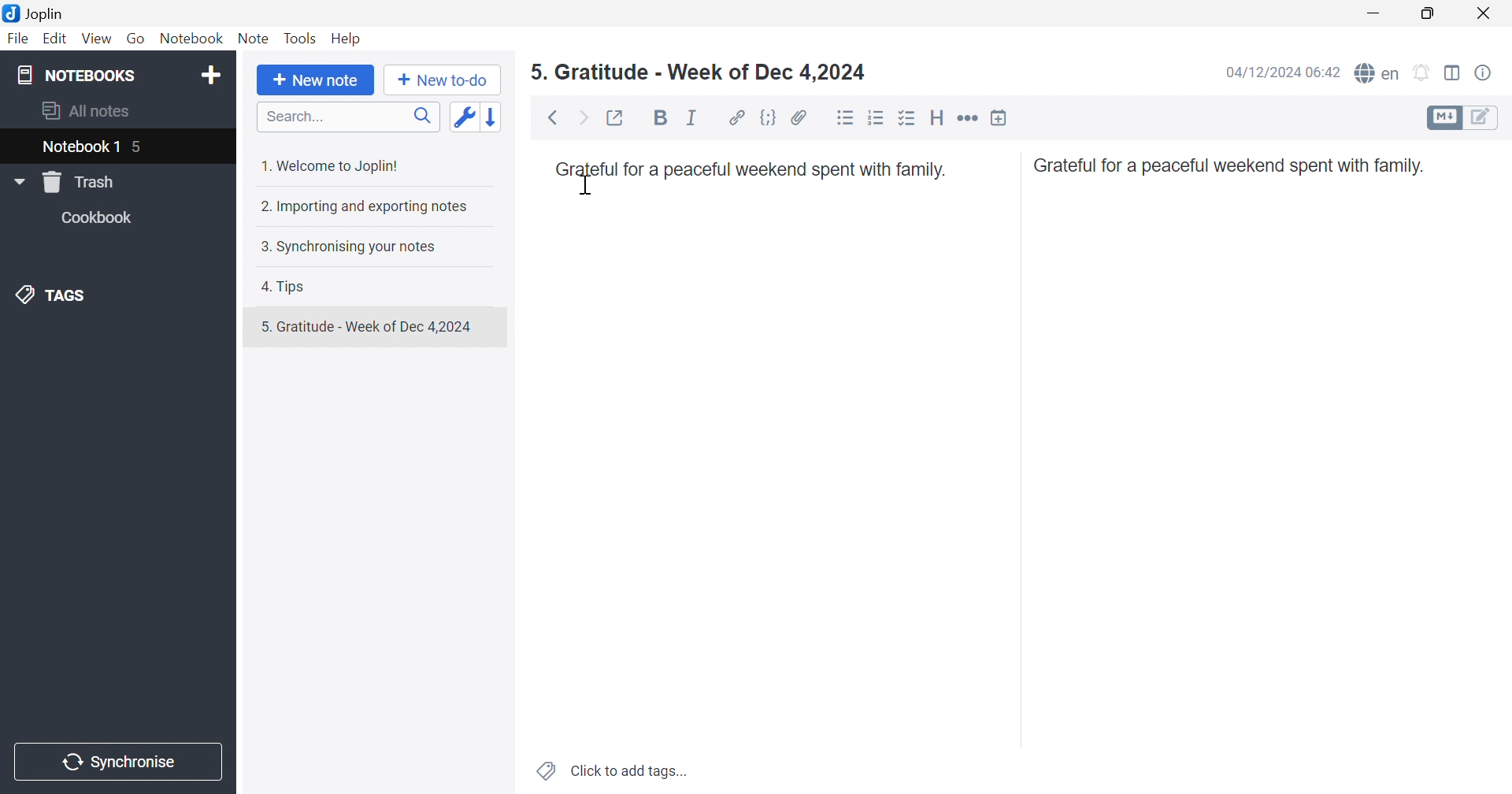 The height and width of the screenshot is (794, 1512). I want to click on Trash, so click(79, 183).